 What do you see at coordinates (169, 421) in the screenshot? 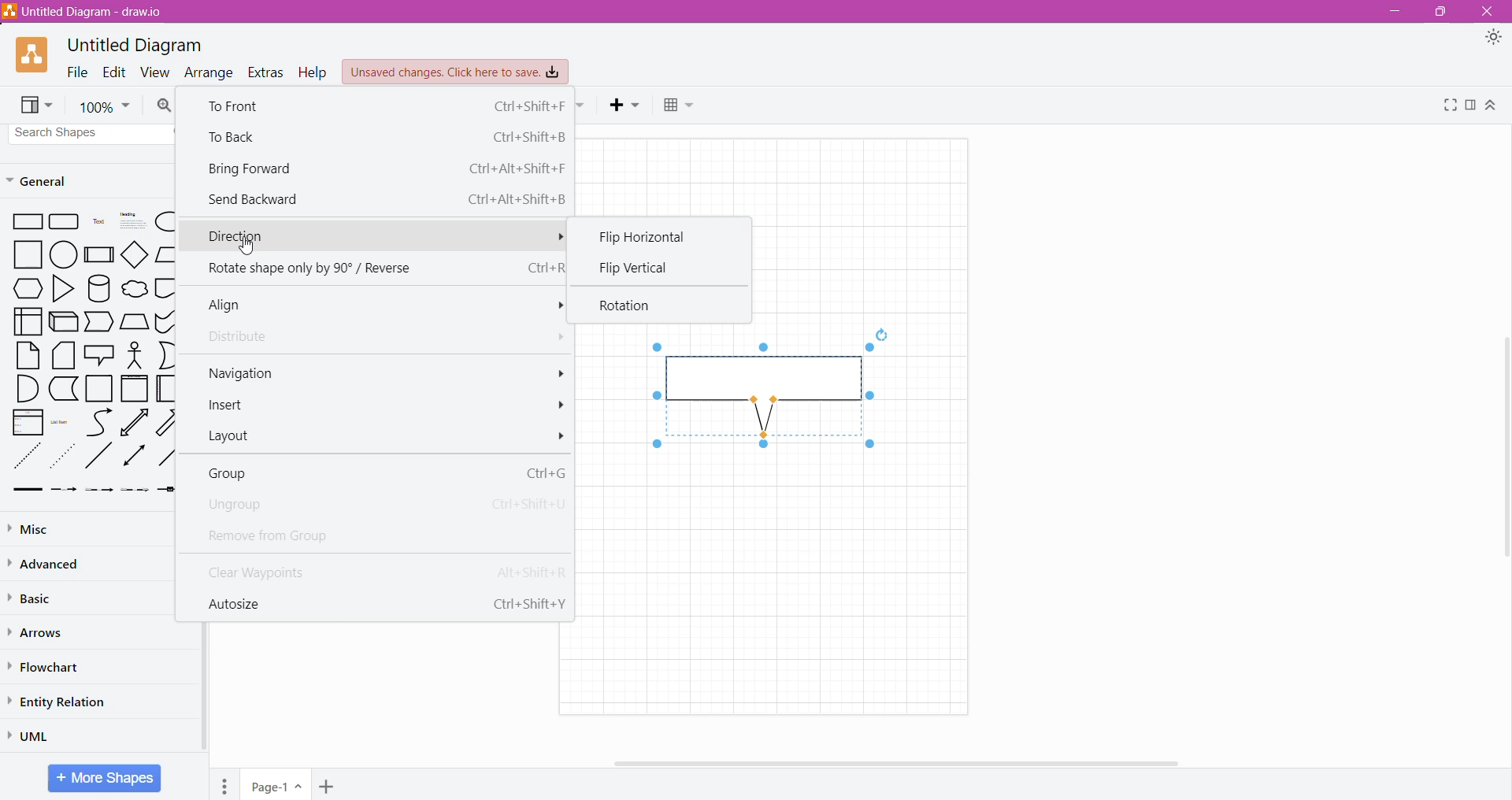
I see `Right Diagonal Arrow` at bounding box center [169, 421].